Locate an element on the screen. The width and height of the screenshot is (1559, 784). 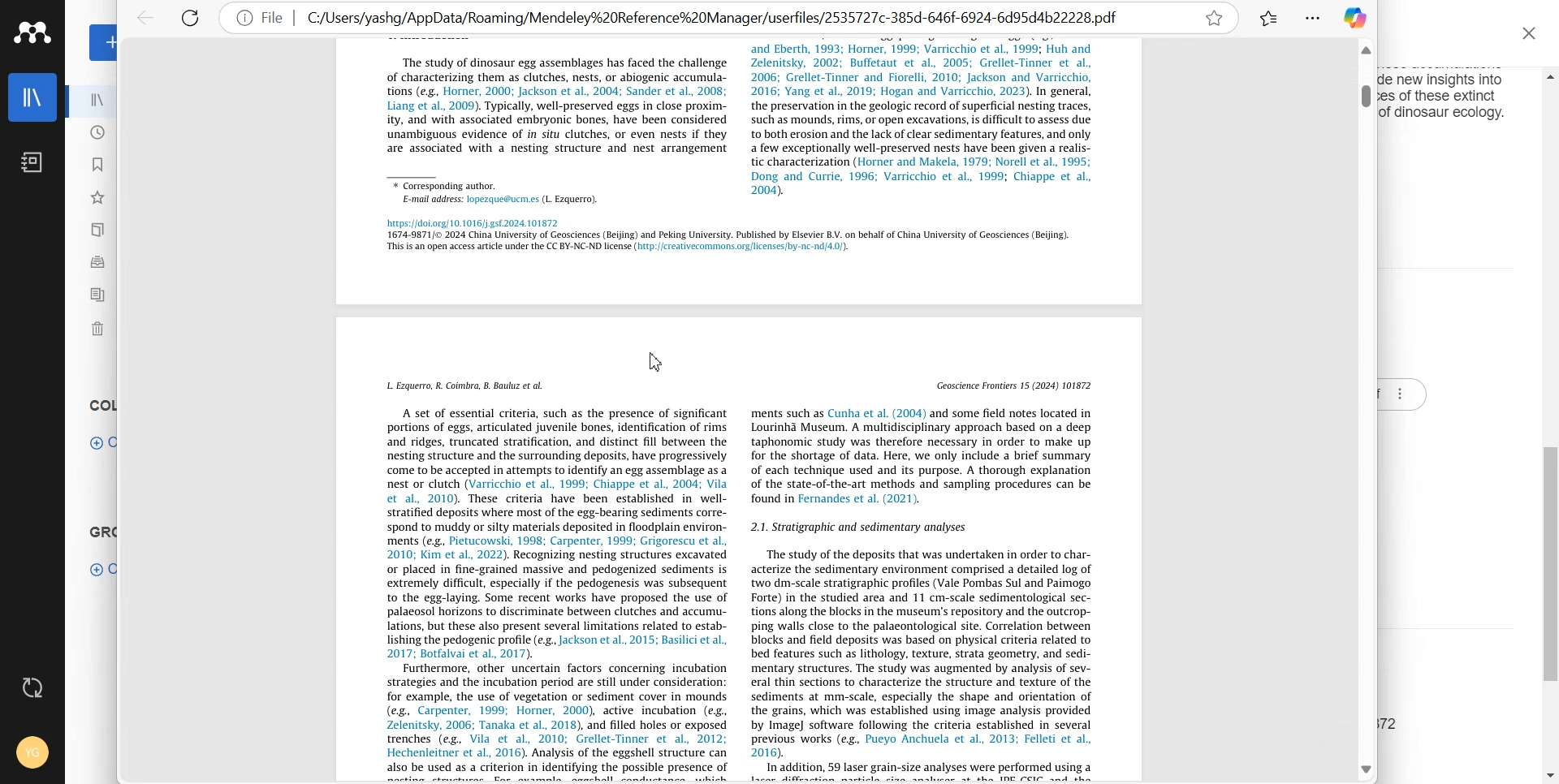
Notebook is located at coordinates (32, 163).